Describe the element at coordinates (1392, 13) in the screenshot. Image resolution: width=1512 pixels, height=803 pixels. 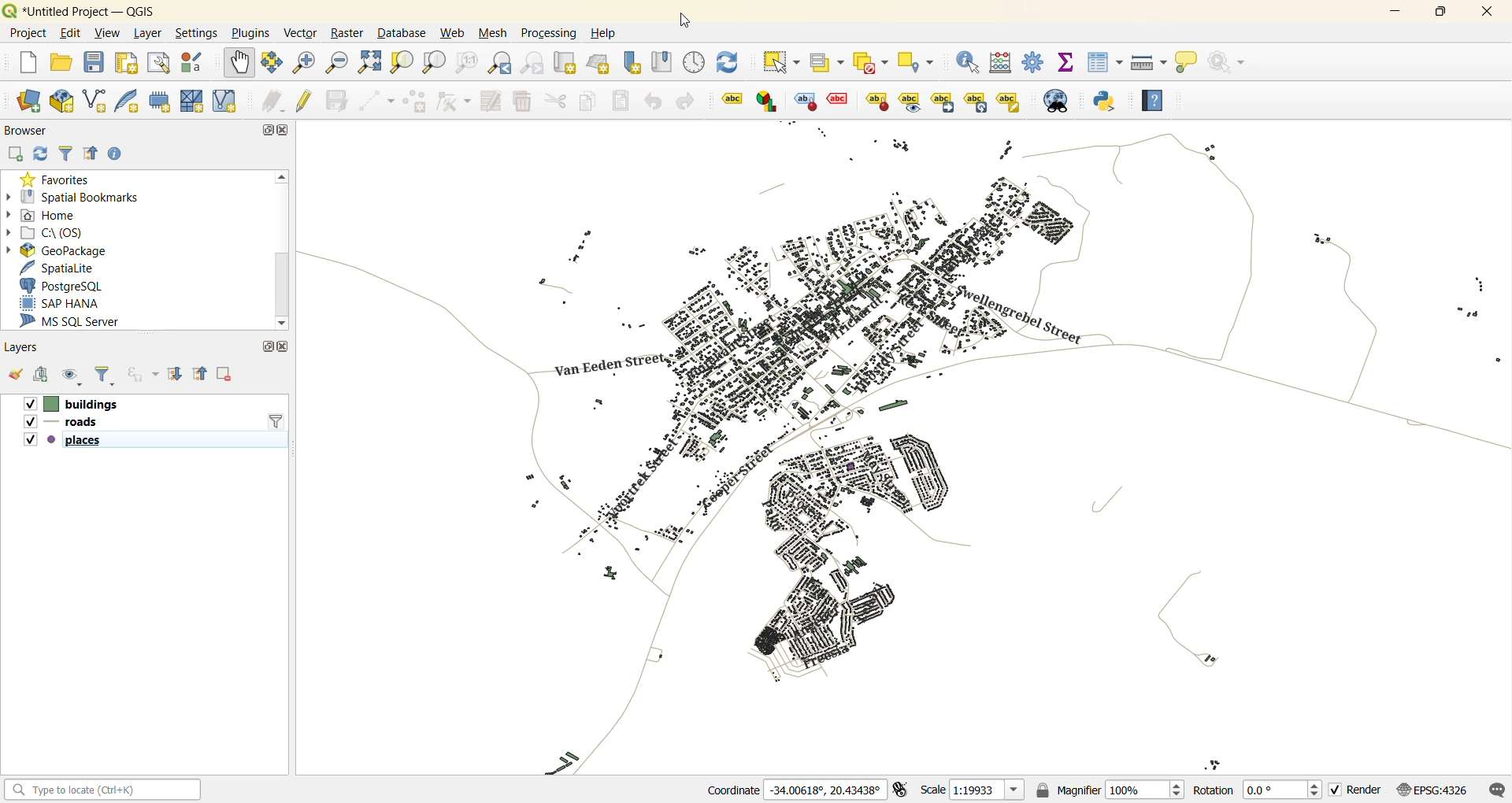
I see `minimize` at that location.